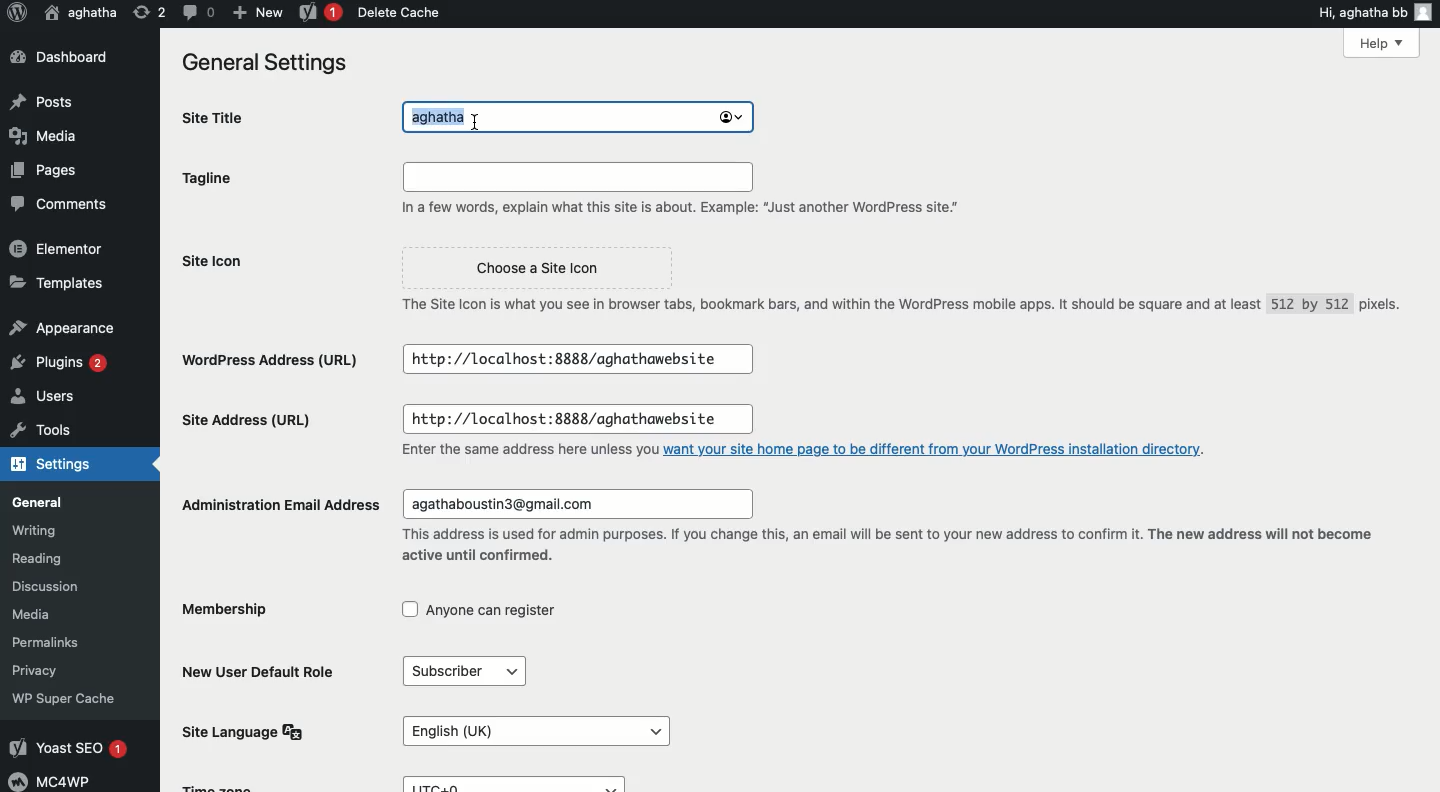 The width and height of the screenshot is (1440, 792). I want to click on Hi, aghatha bb, so click(1369, 13).